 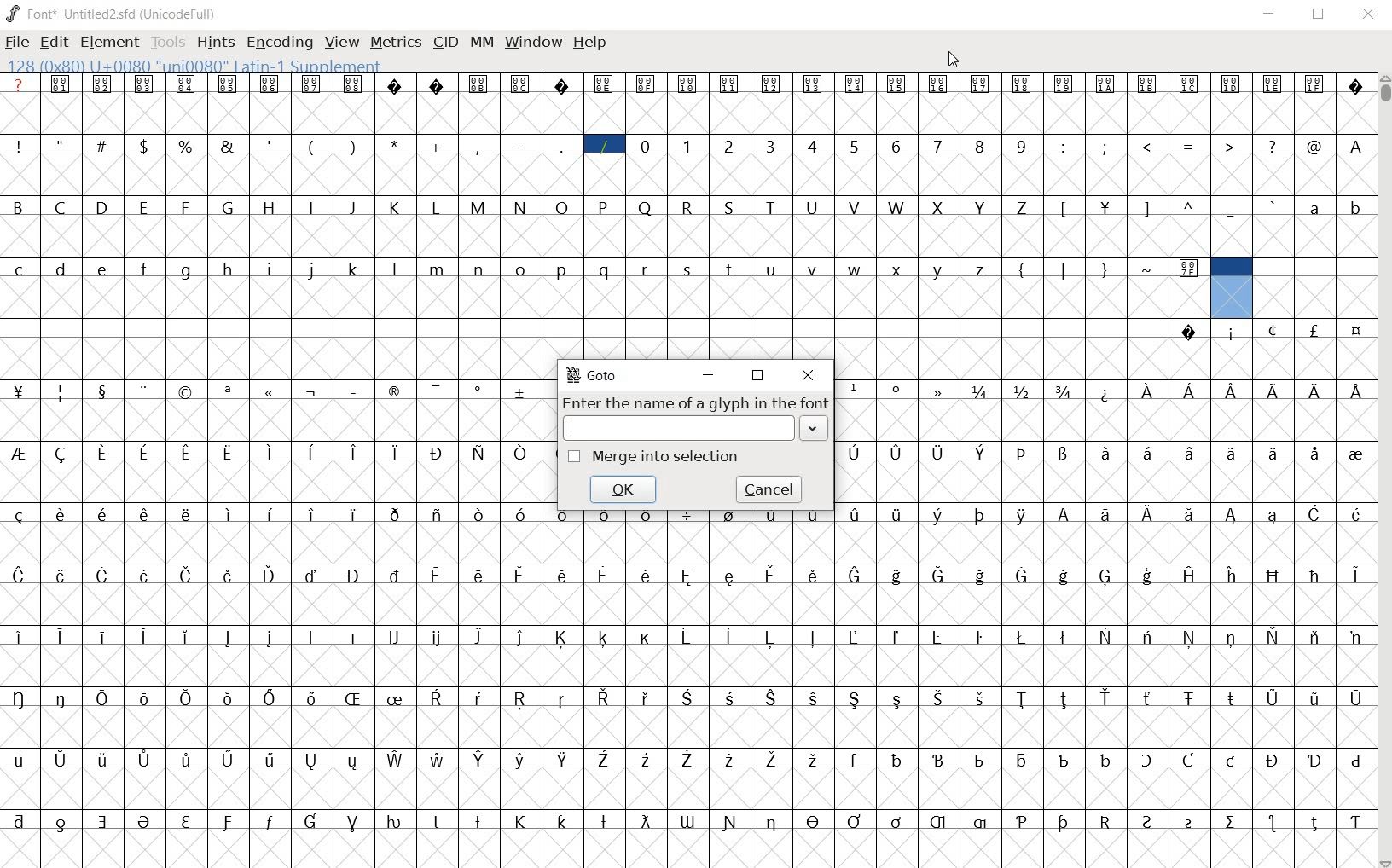 I want to click on Symbol, so click(x=396, y=513).